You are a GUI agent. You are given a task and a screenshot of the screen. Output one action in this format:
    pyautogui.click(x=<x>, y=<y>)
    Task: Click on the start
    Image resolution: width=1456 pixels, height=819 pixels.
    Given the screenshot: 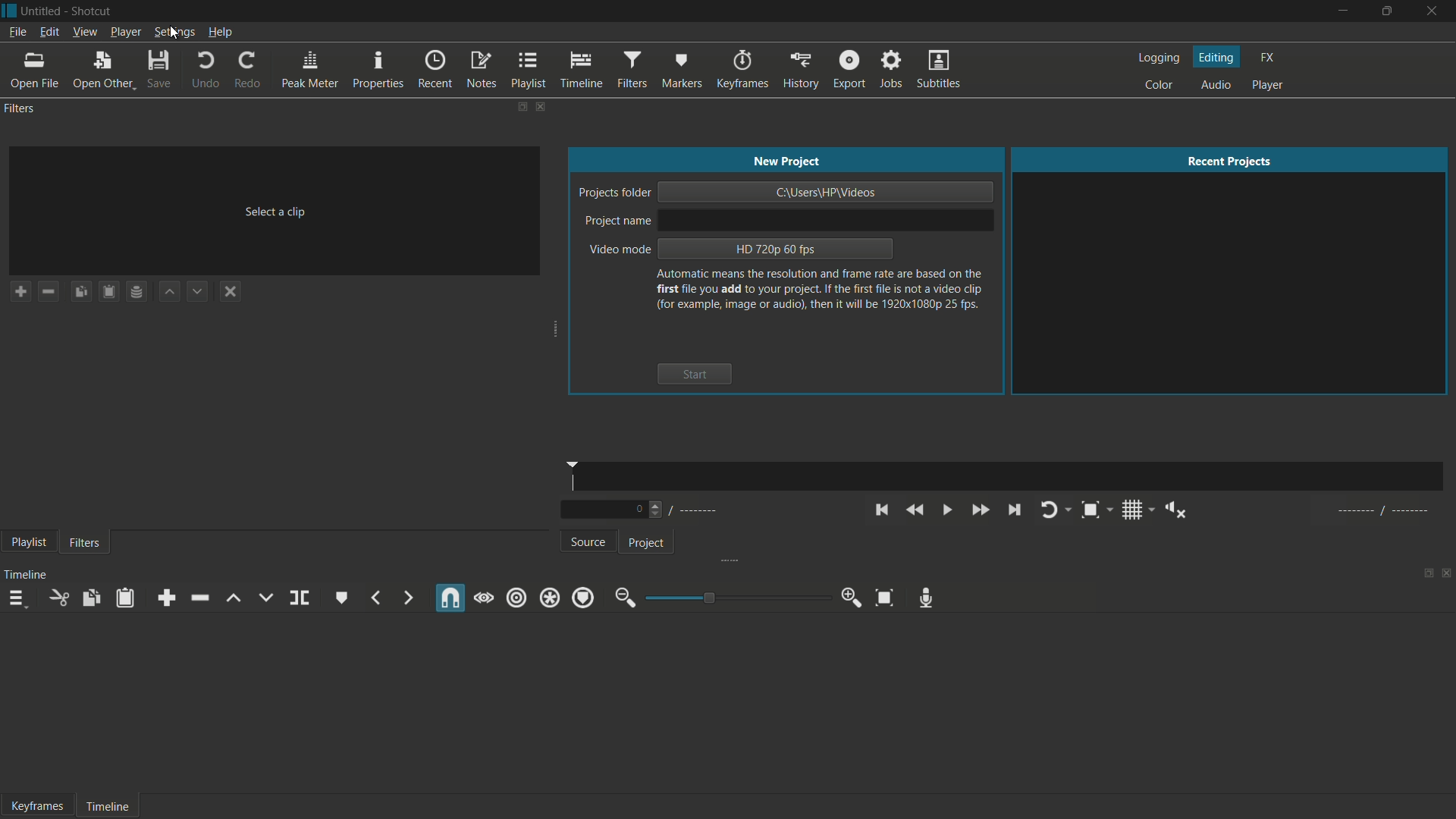 What is the action you would take?
    pyautogui.click(x=694, y=374)
    